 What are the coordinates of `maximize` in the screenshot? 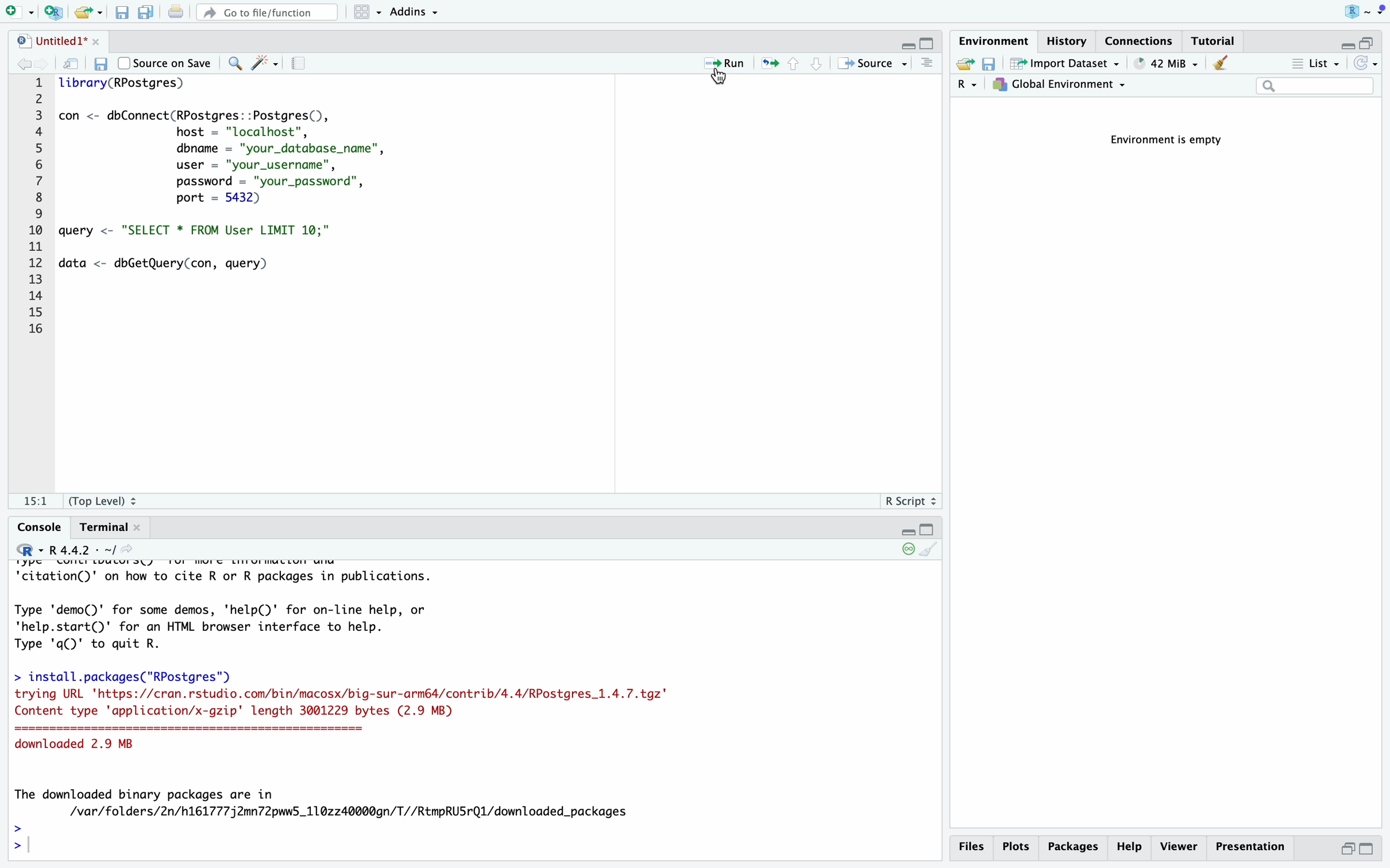 It's located at (928, 40).